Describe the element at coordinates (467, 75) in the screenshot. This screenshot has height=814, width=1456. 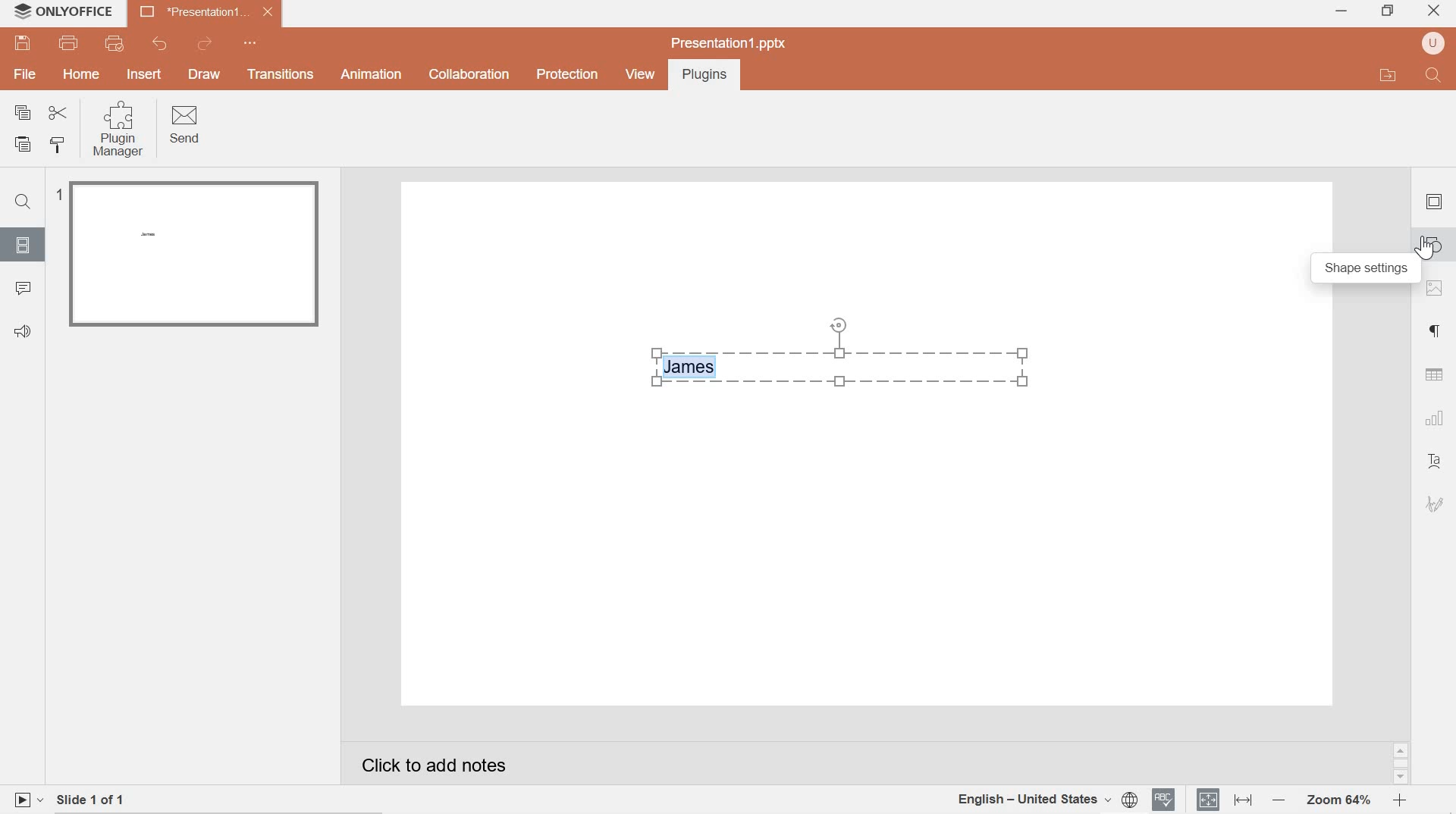
I see `collaboration` at that location.